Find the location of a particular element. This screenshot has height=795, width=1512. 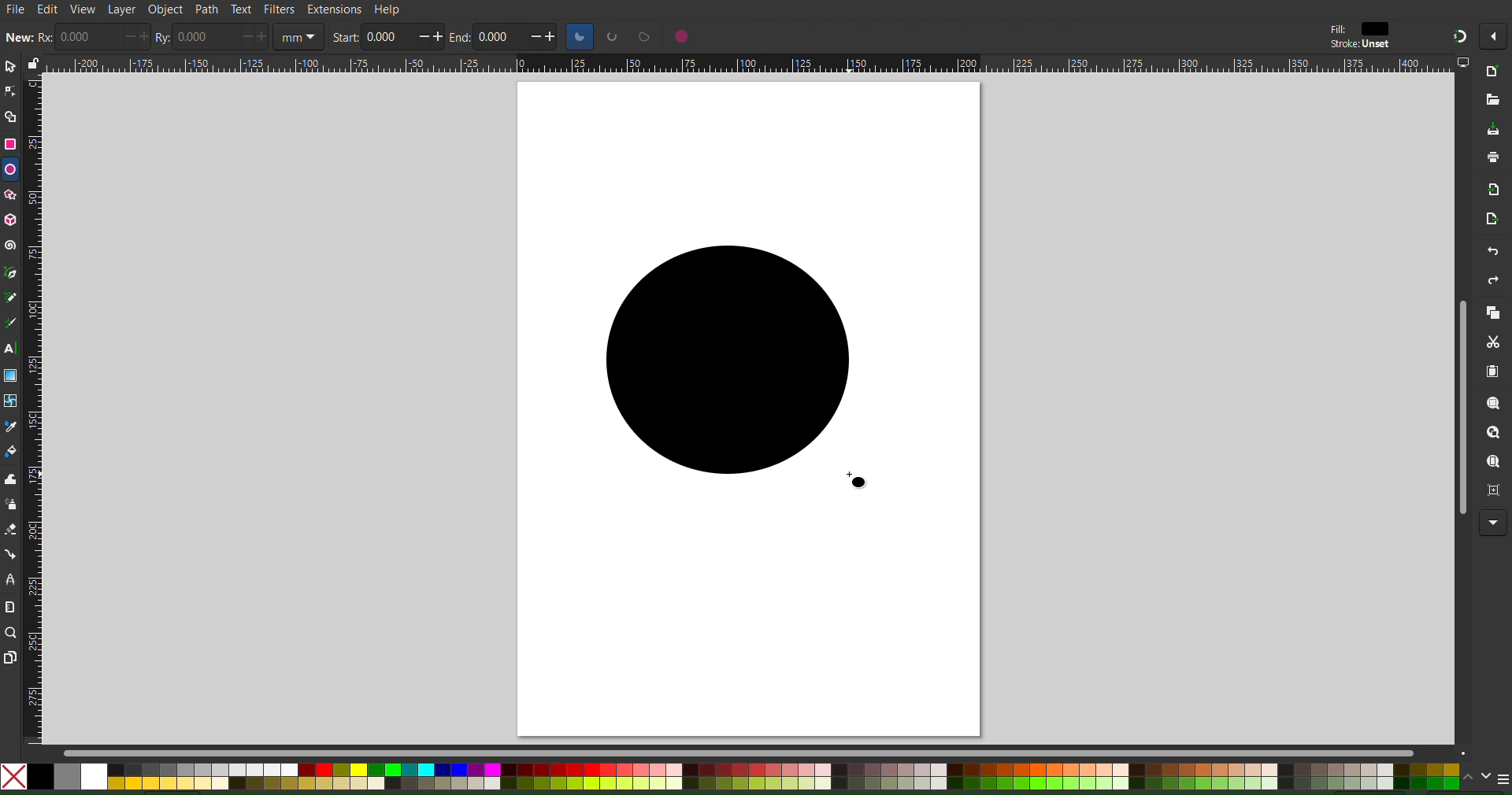

menu is located at coordinates (1503, 780).